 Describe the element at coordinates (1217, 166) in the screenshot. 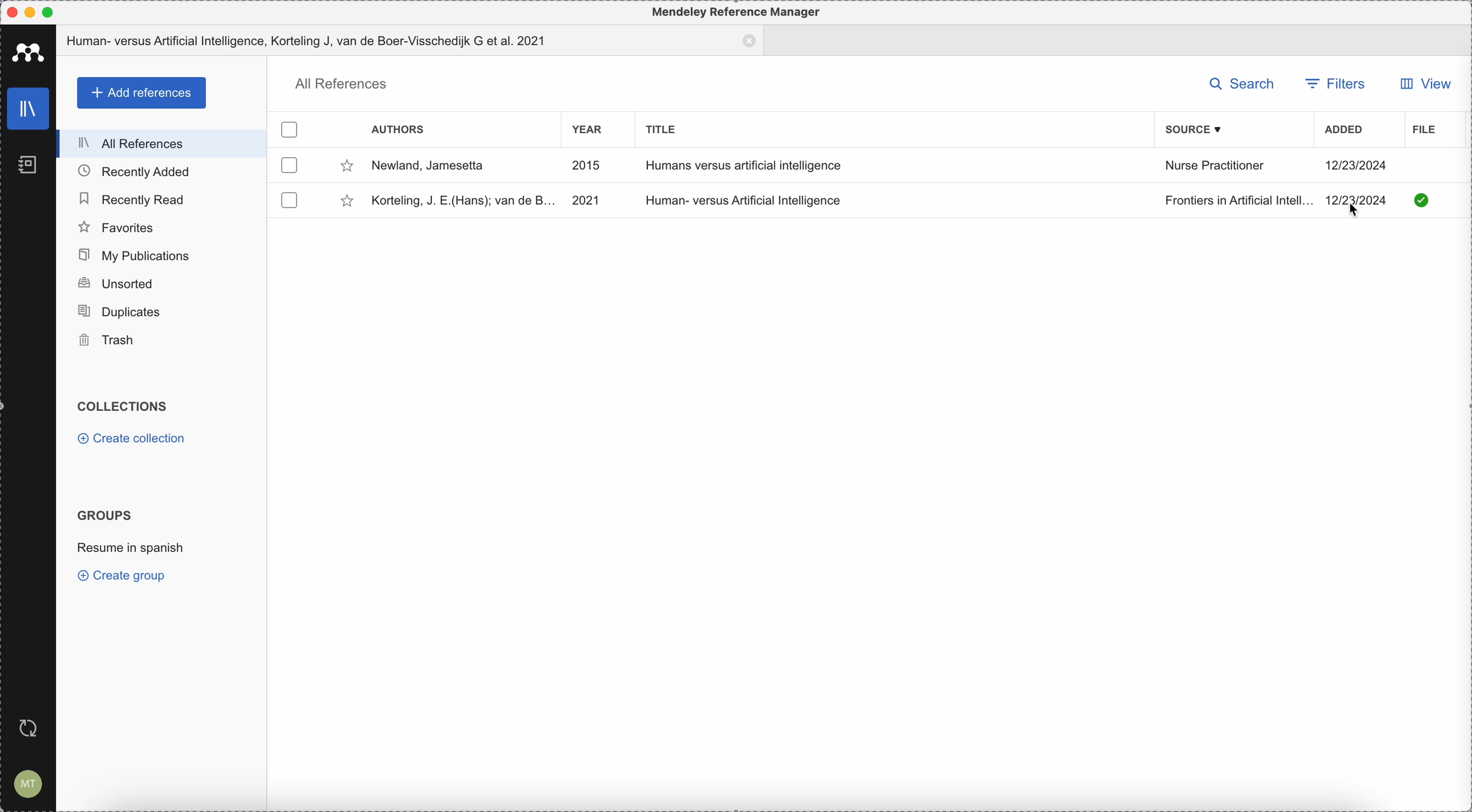

I see `Nurse Practitioner` at that location.